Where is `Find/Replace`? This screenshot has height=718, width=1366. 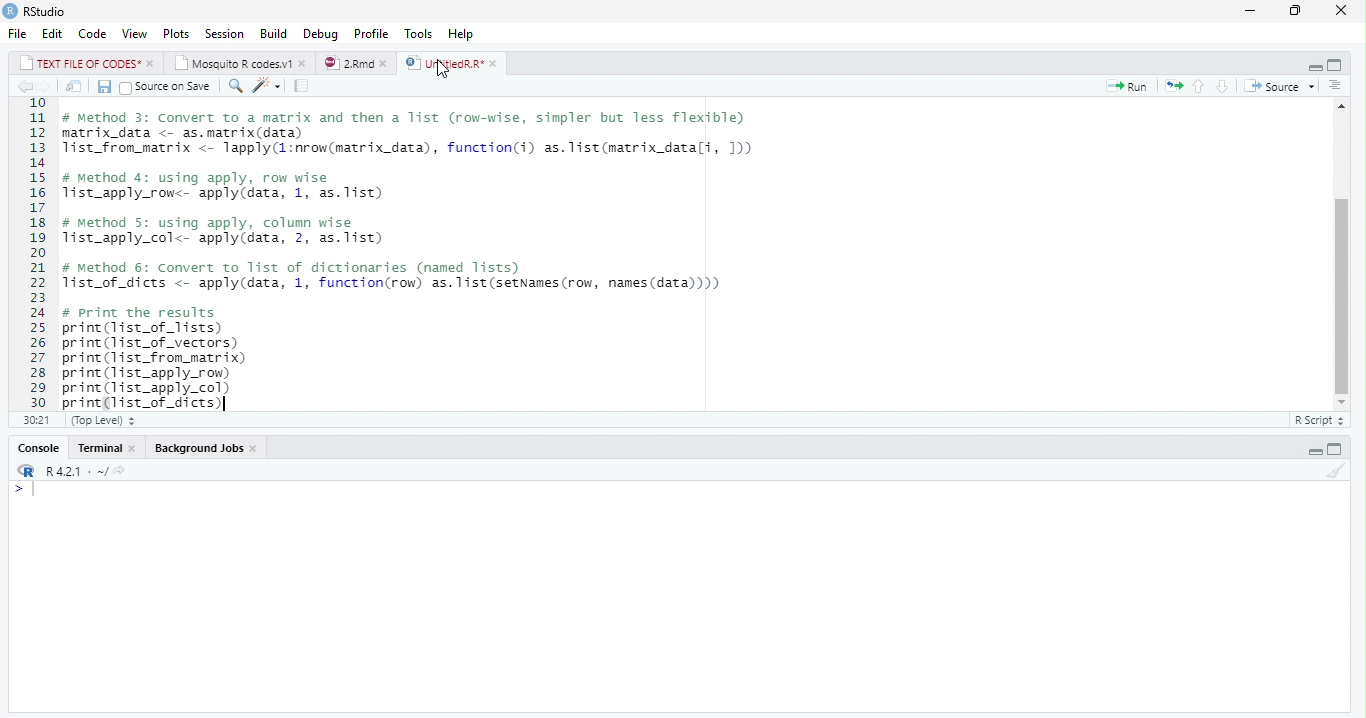
Find/Replace is located at coordinates (236, 86).